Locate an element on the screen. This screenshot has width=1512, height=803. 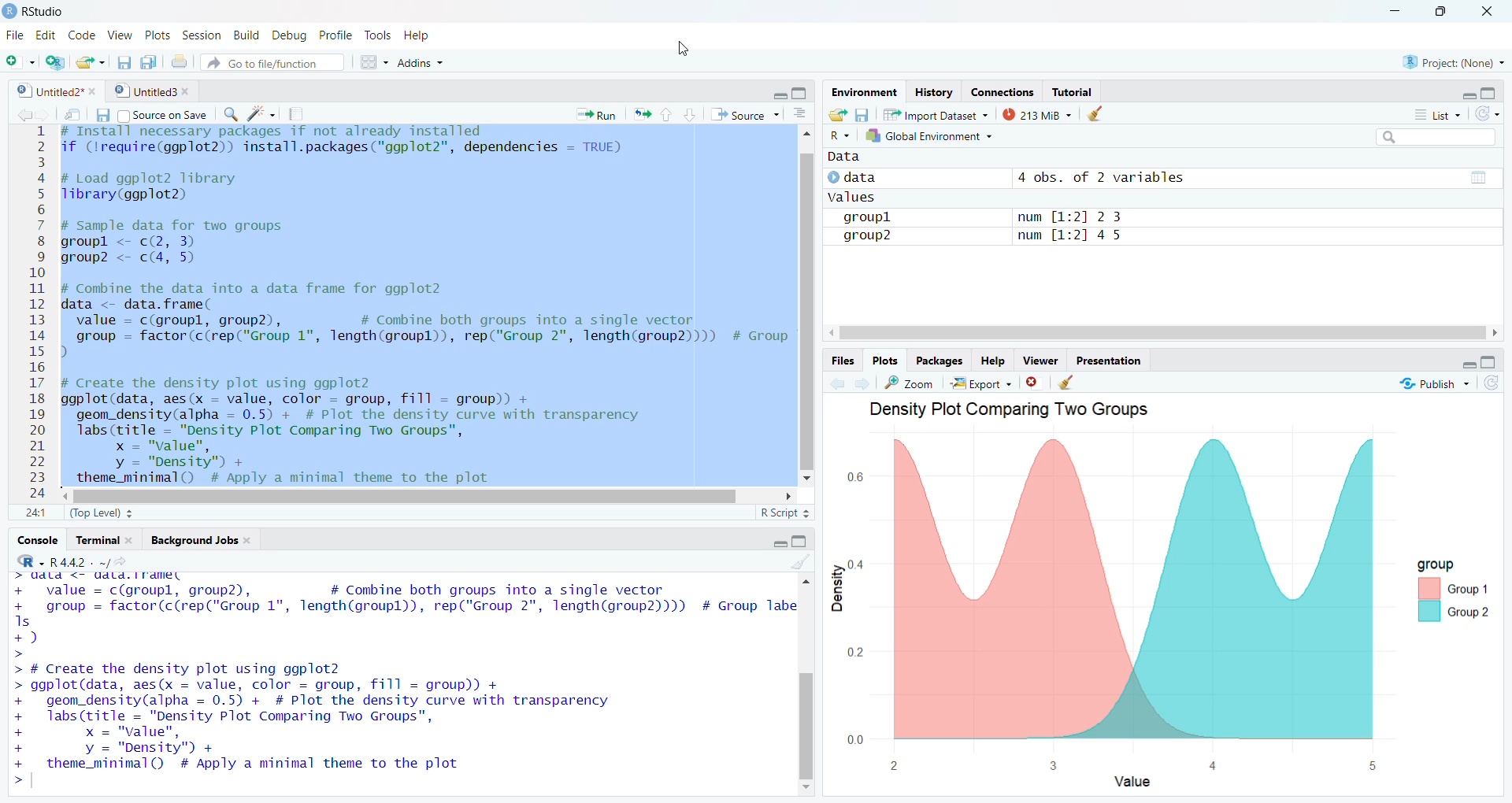
FILES is located at coordinates (845, 359).